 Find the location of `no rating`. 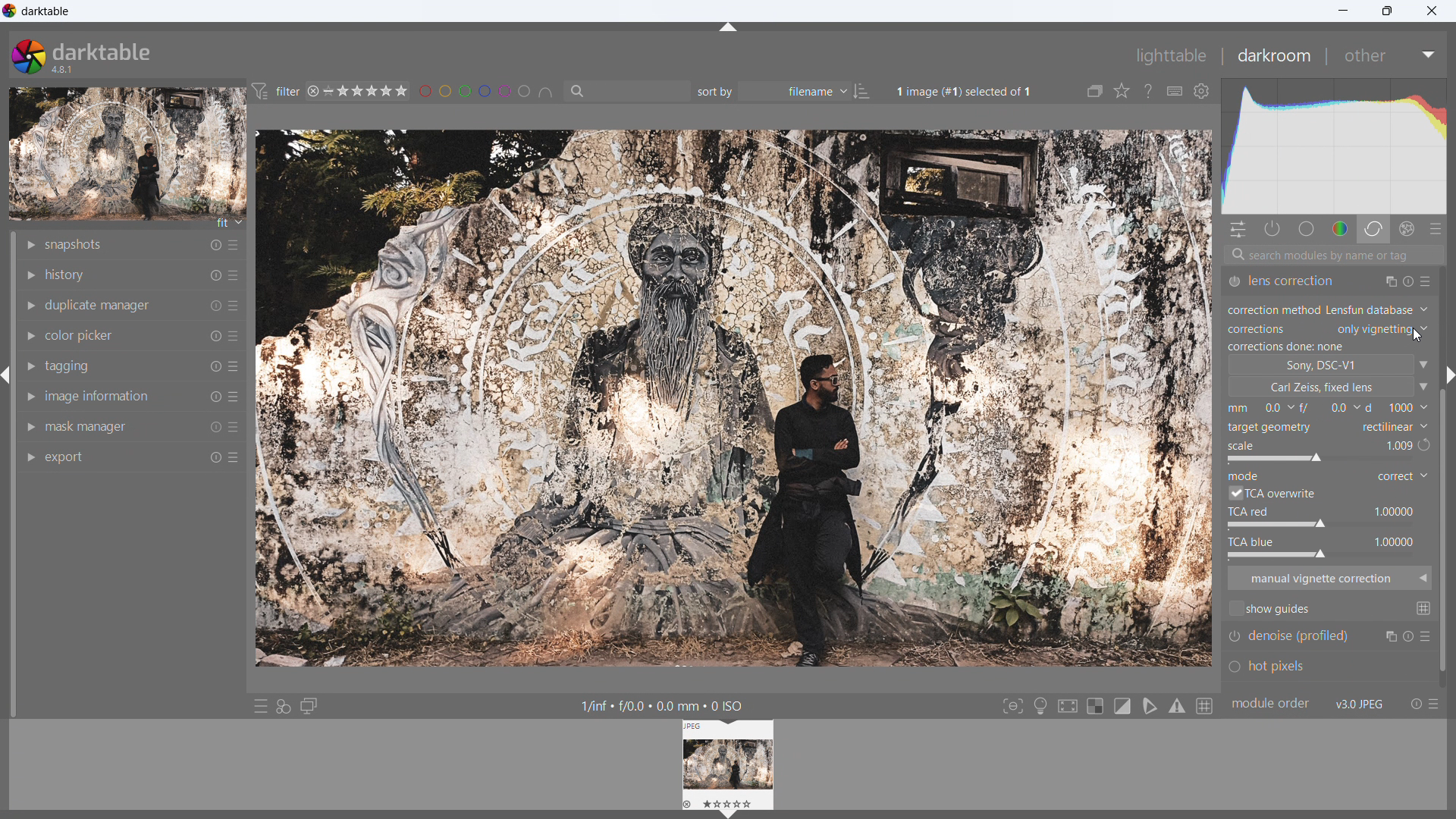

no rating is located at coordinates (332, 93).